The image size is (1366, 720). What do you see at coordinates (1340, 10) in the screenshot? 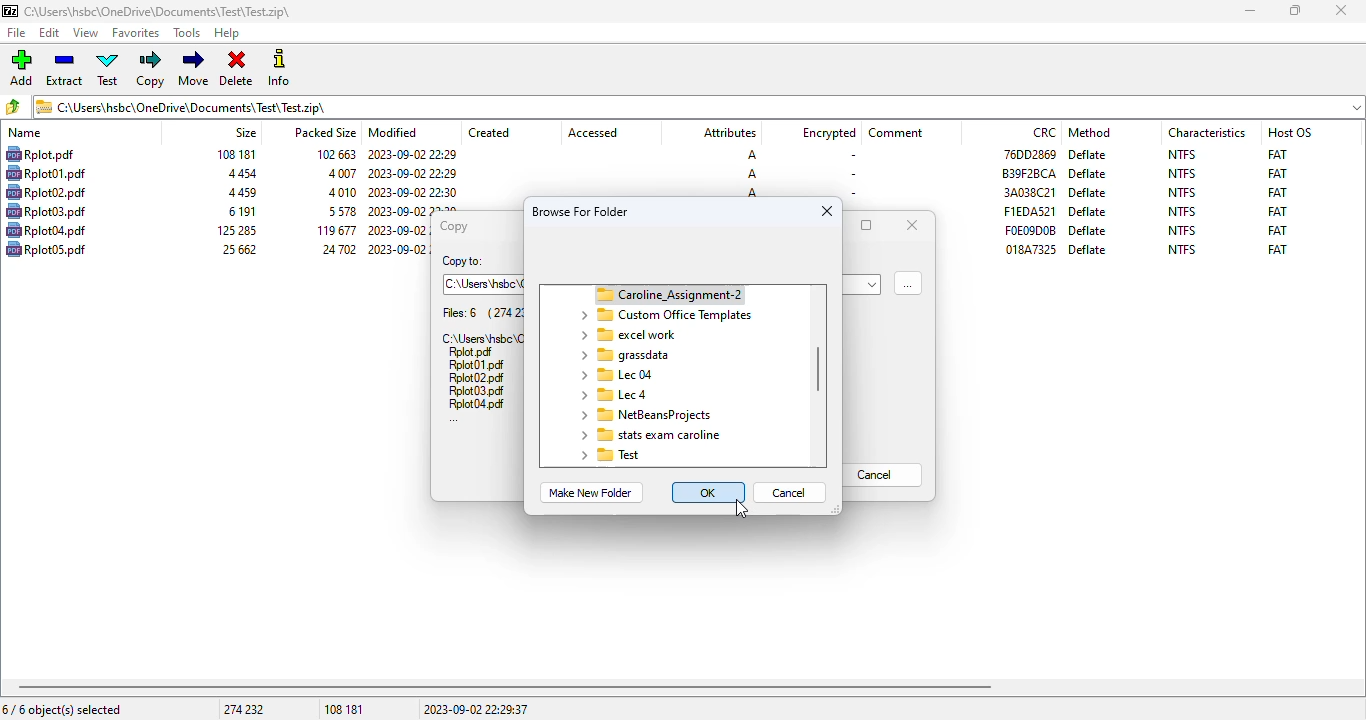
I see `close` at bounding box center [1340, 10].